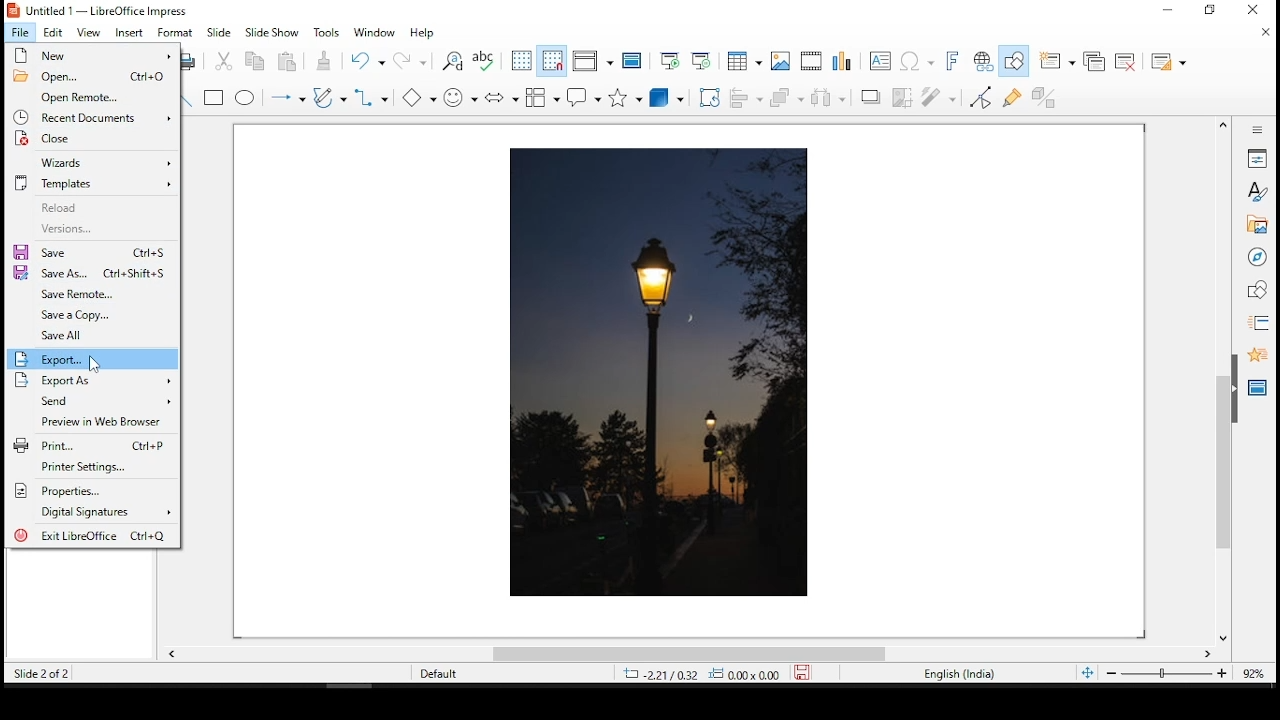  Describe the element at coordinates (830, 98) in the screenshot. I see `distribute` at that location.